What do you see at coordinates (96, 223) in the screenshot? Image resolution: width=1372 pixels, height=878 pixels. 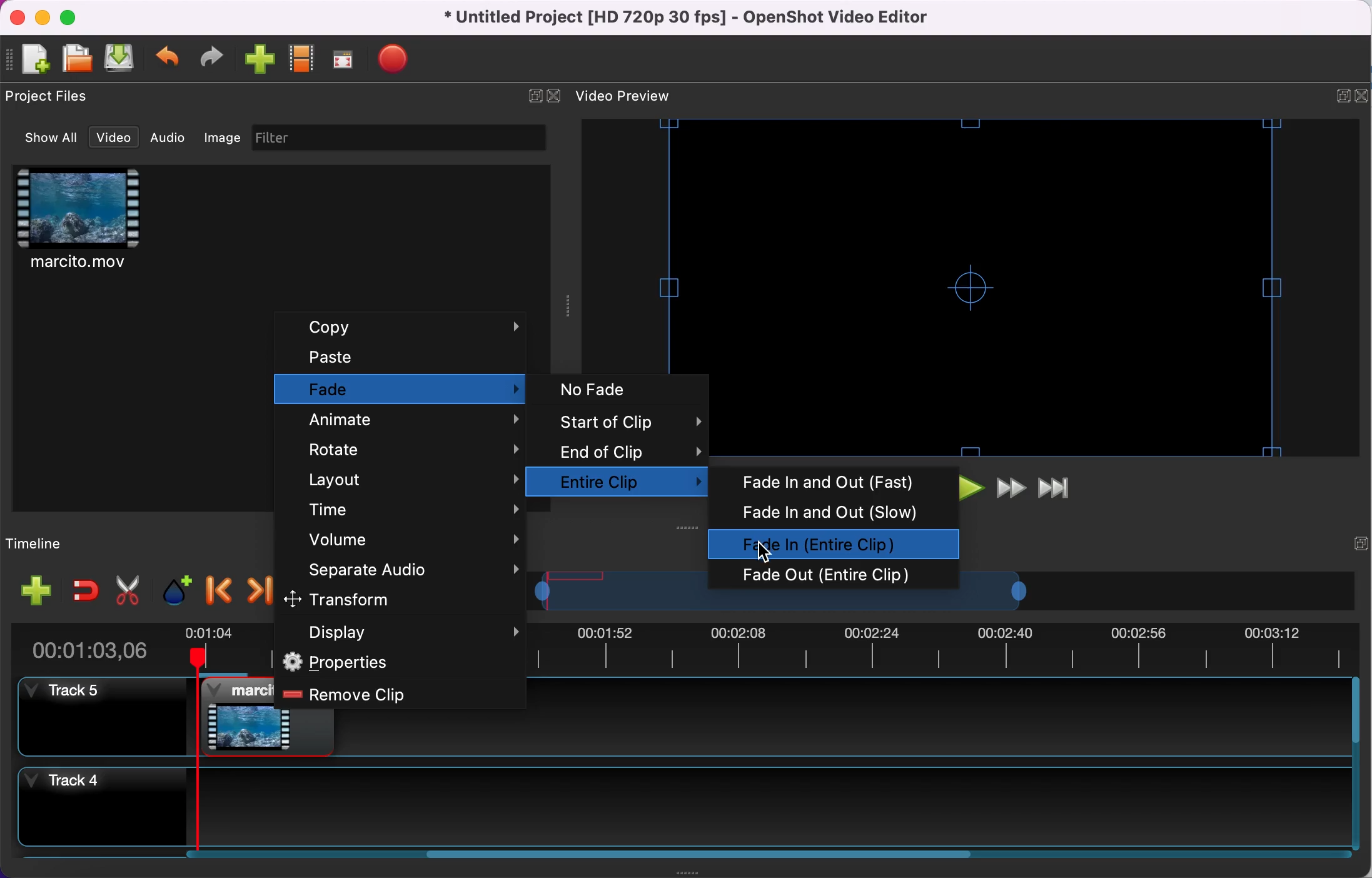 I see `clip` at bounding box center [96, 223].